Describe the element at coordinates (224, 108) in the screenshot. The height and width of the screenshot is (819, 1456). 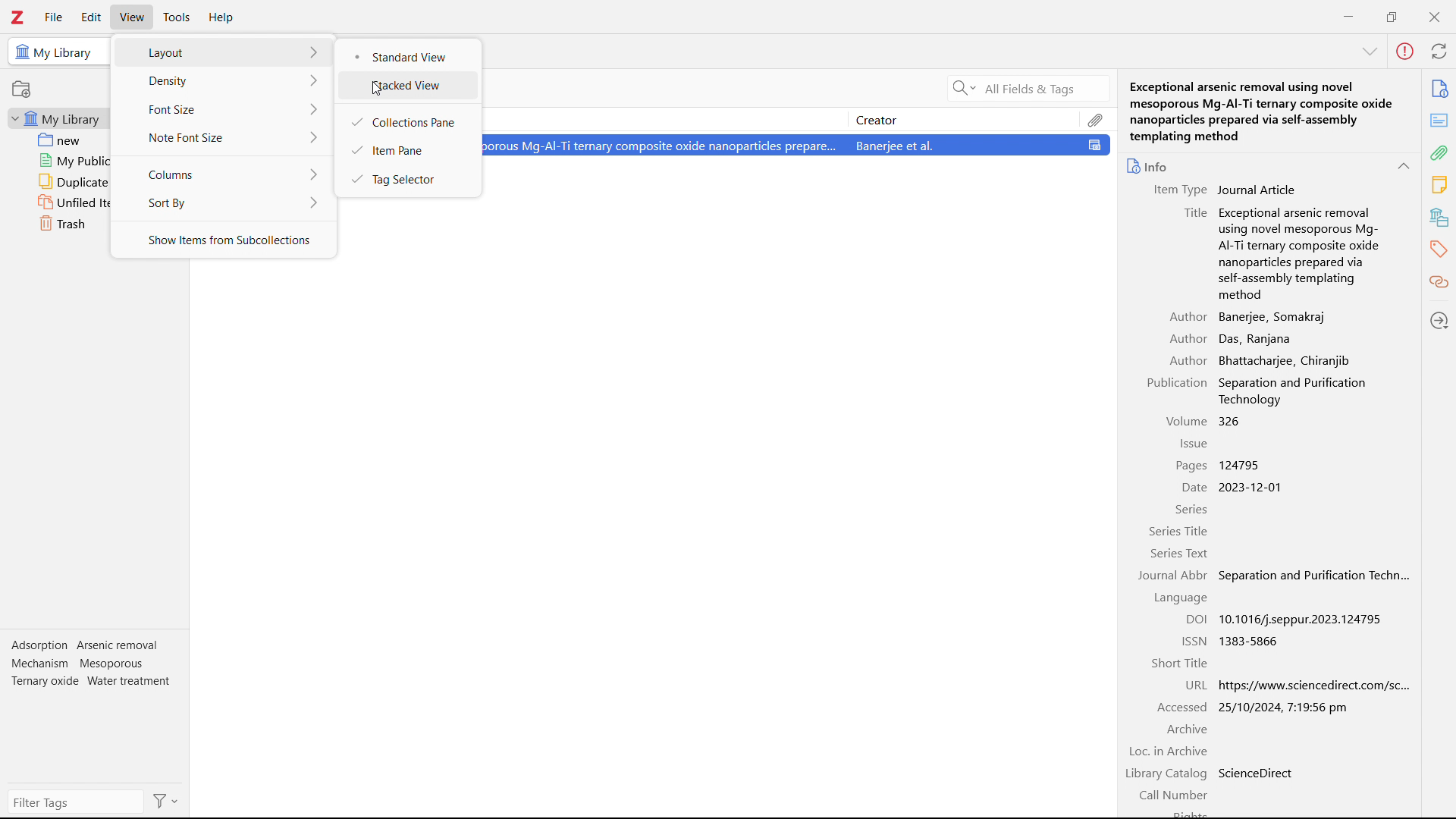
I see `font size` at that location.